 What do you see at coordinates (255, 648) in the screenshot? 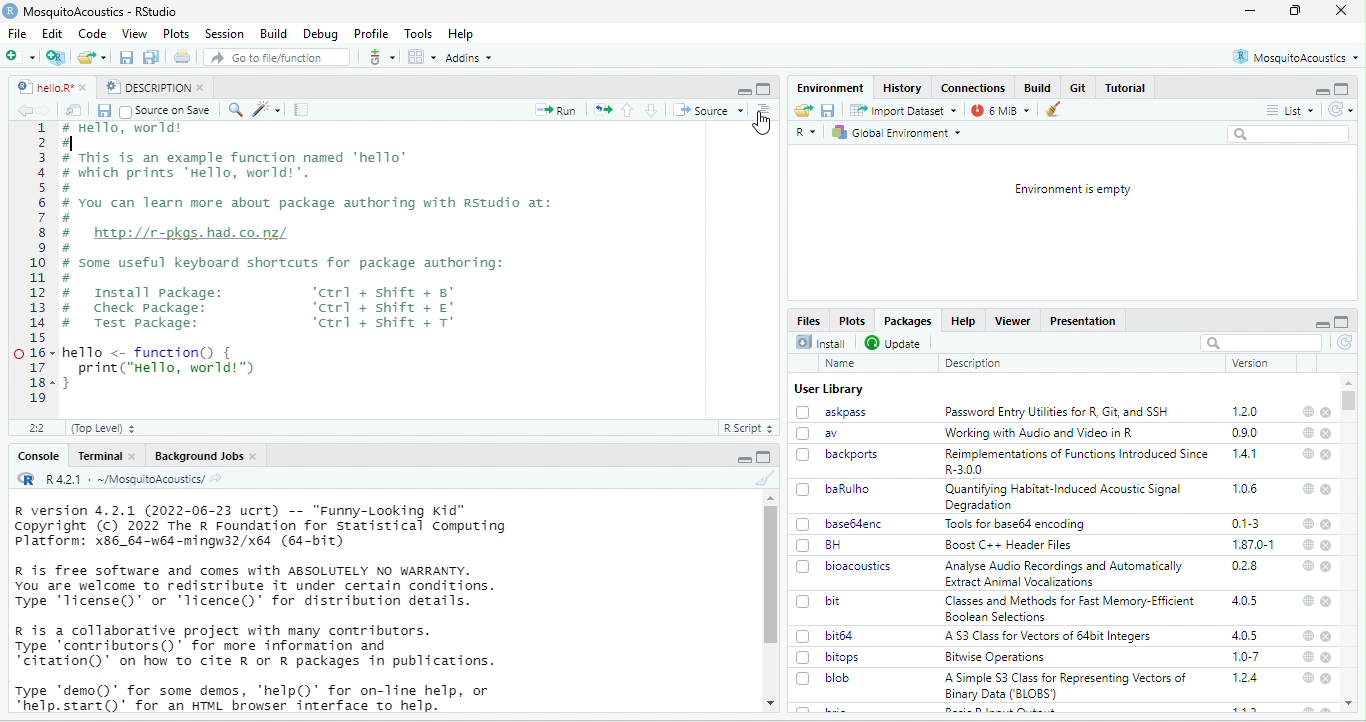
I see `R is a collaborative project with many contributors.
Type contributors)" for more information and
“citation()’ on how to cite R or R packages in publications.` at bounding box center [255, 648].